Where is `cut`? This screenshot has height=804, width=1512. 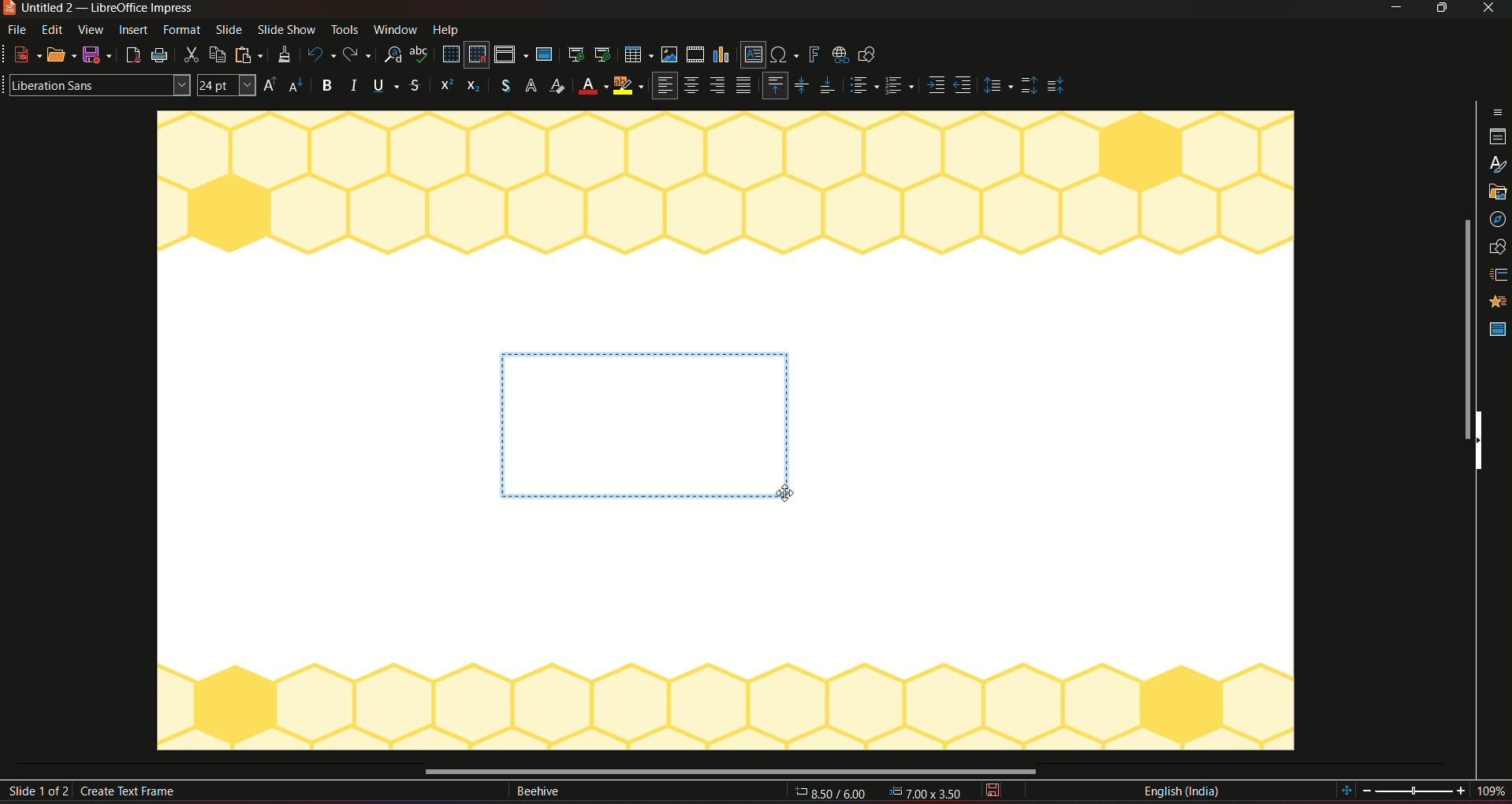
cut is located at coordinates (192, 56).